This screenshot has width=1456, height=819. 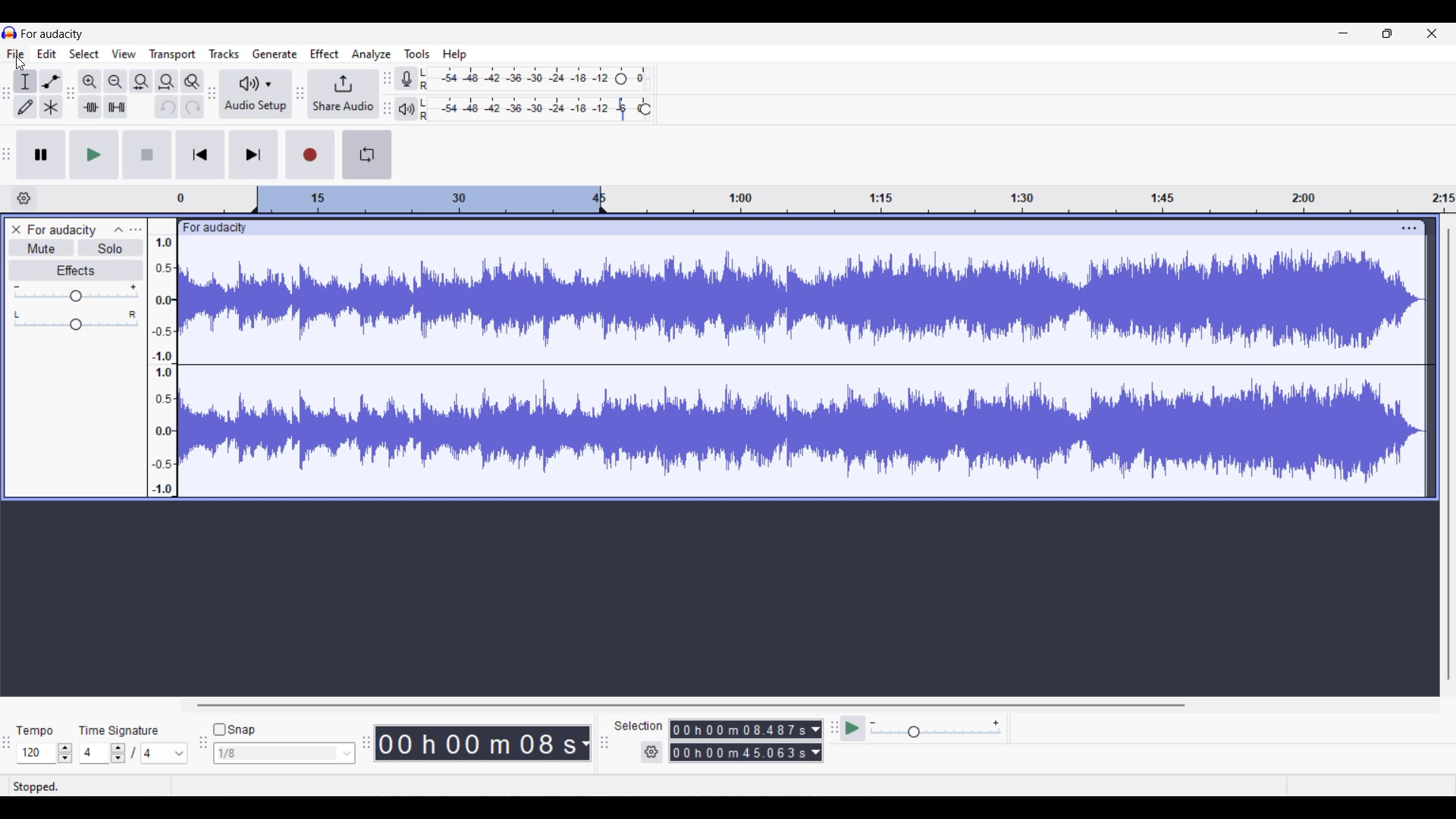 What do you see at coordinates (115, 82) in the screenshot?
I see `Zoom out` at bounding box center [115, 82].